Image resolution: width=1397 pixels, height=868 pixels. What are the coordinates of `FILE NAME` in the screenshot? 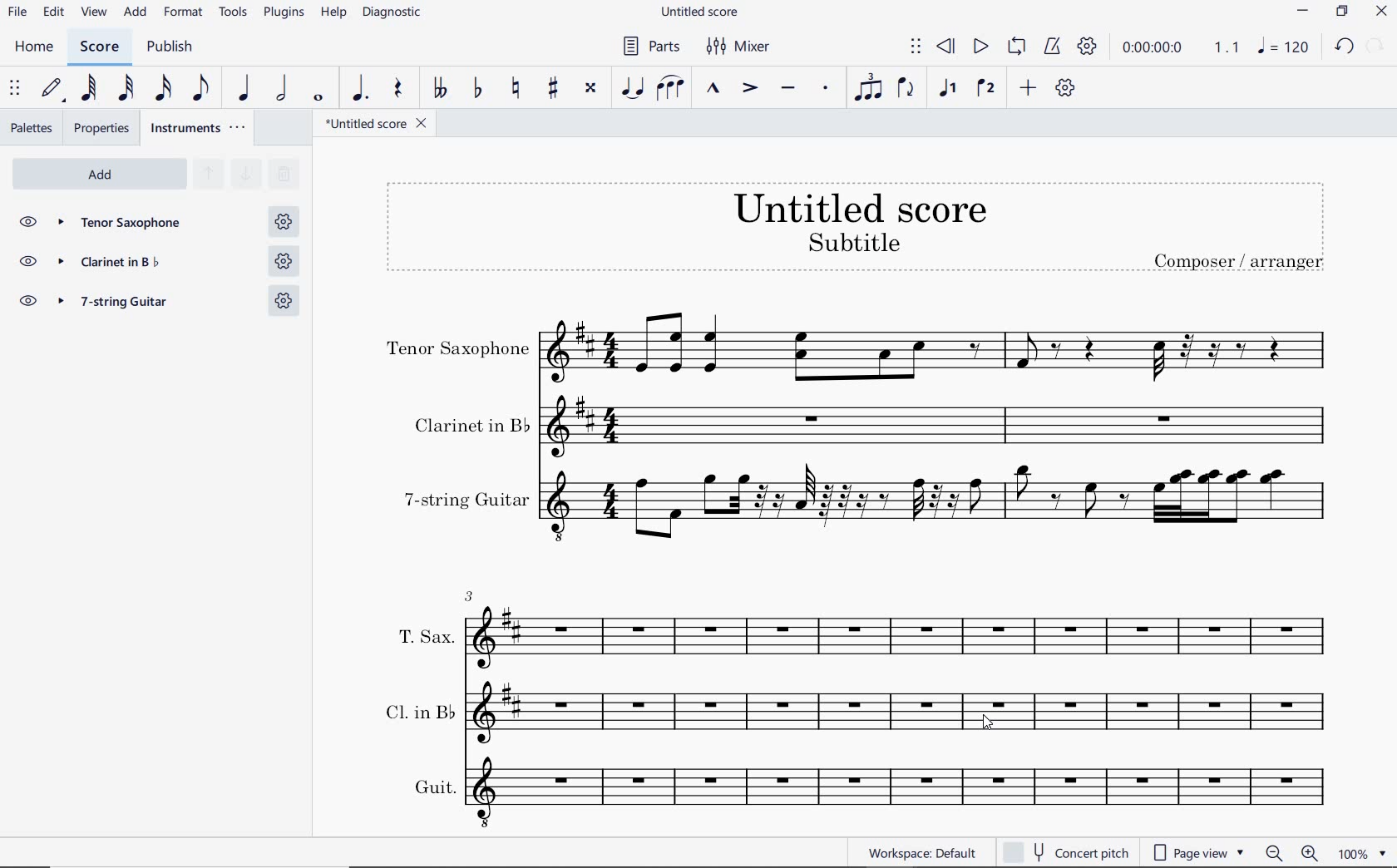 It's located at (698, 13).